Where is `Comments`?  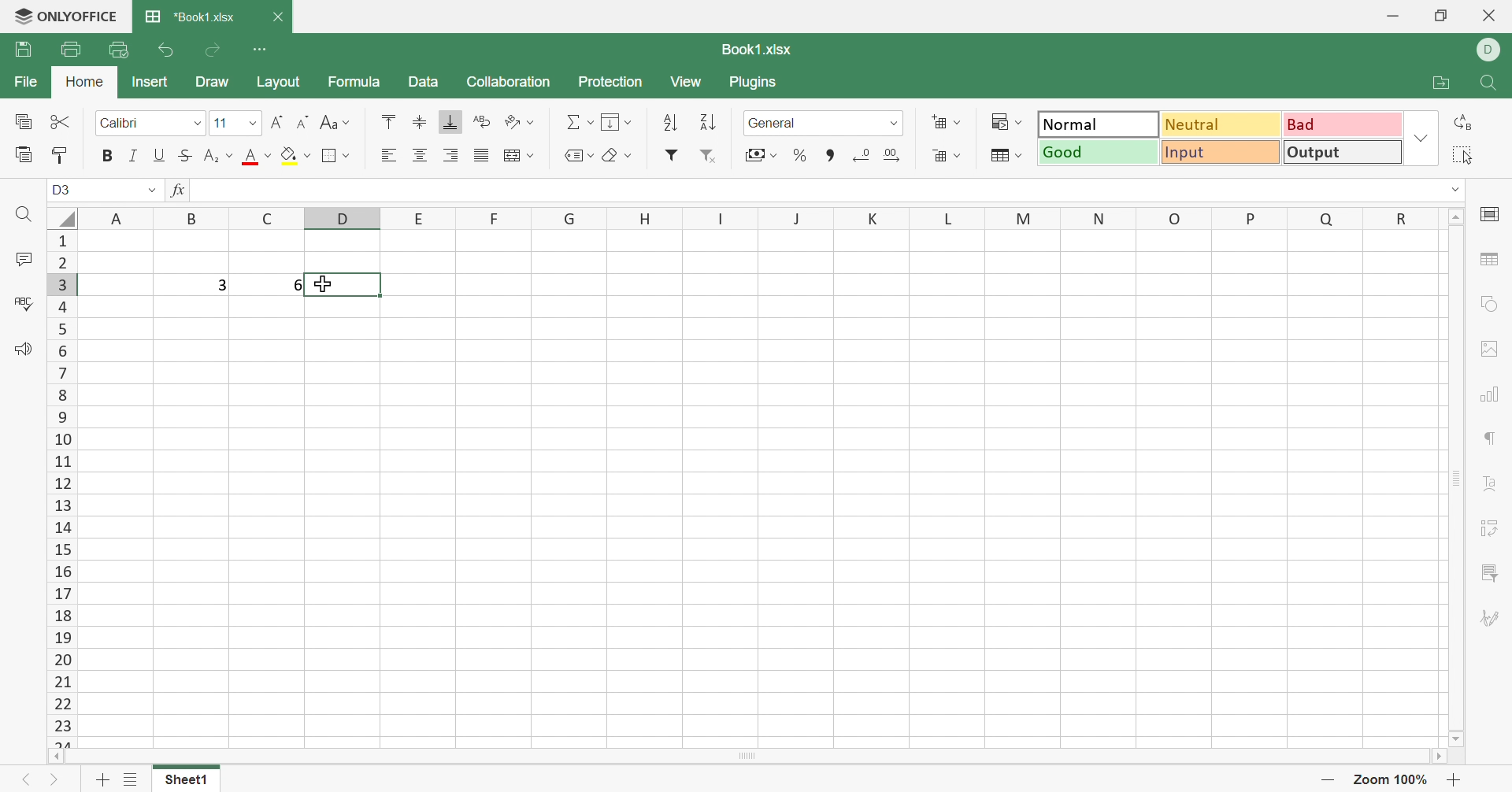
Comments is located at coordinates (24, 260).